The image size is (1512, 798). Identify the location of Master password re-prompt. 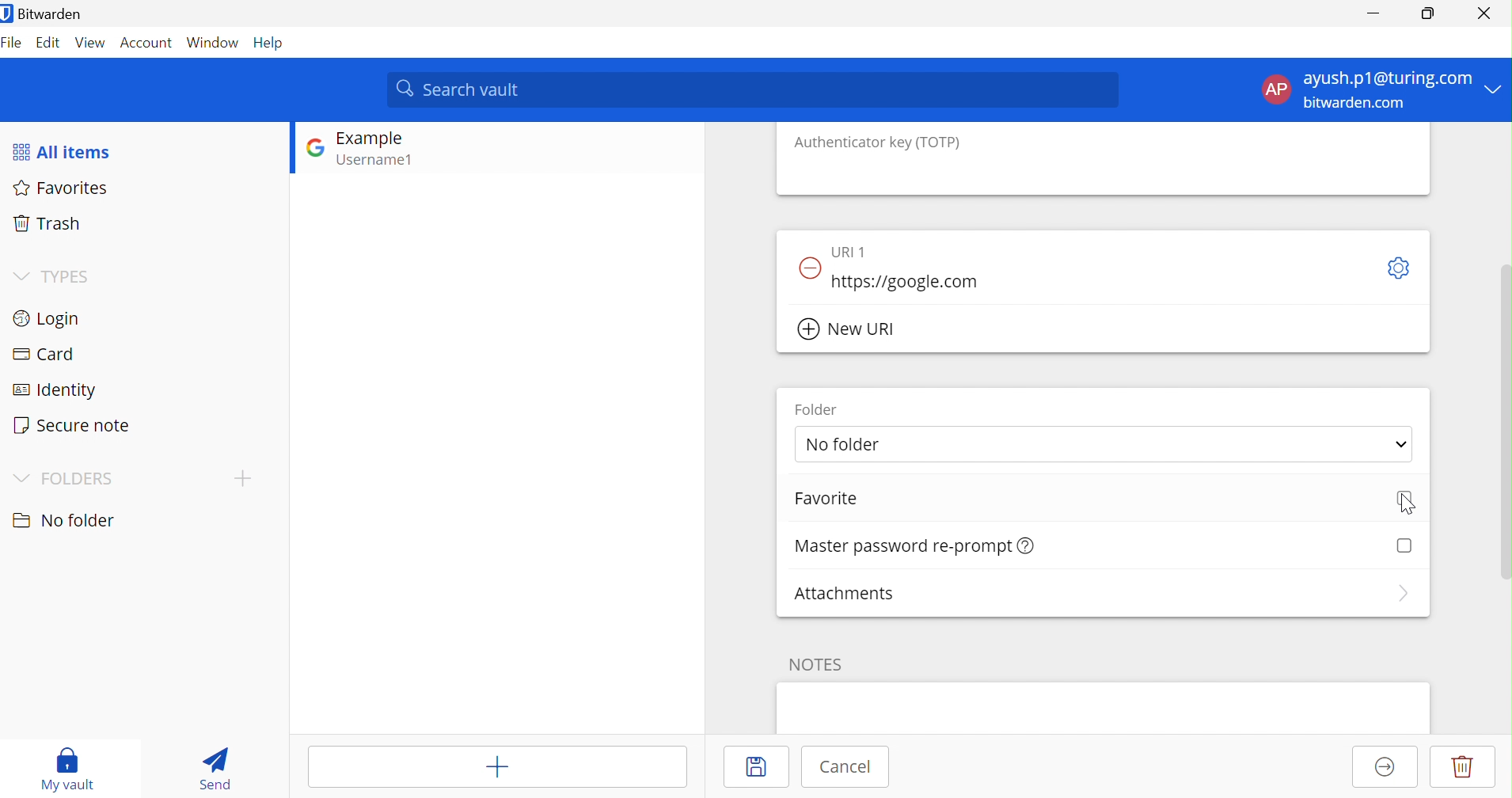
(901, 546).